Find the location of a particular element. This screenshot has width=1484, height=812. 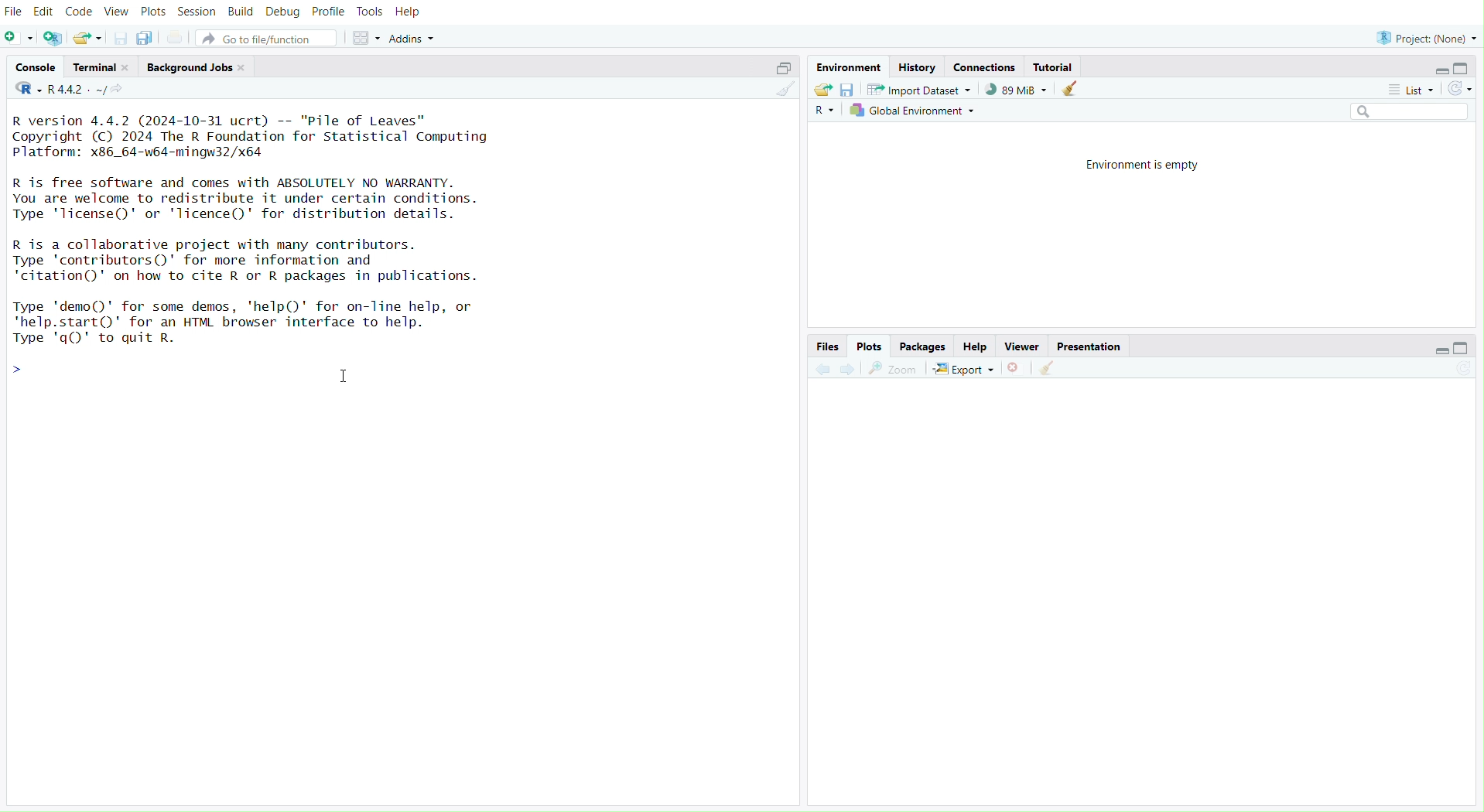

Save workspace as is located at coordinates (848, 89).